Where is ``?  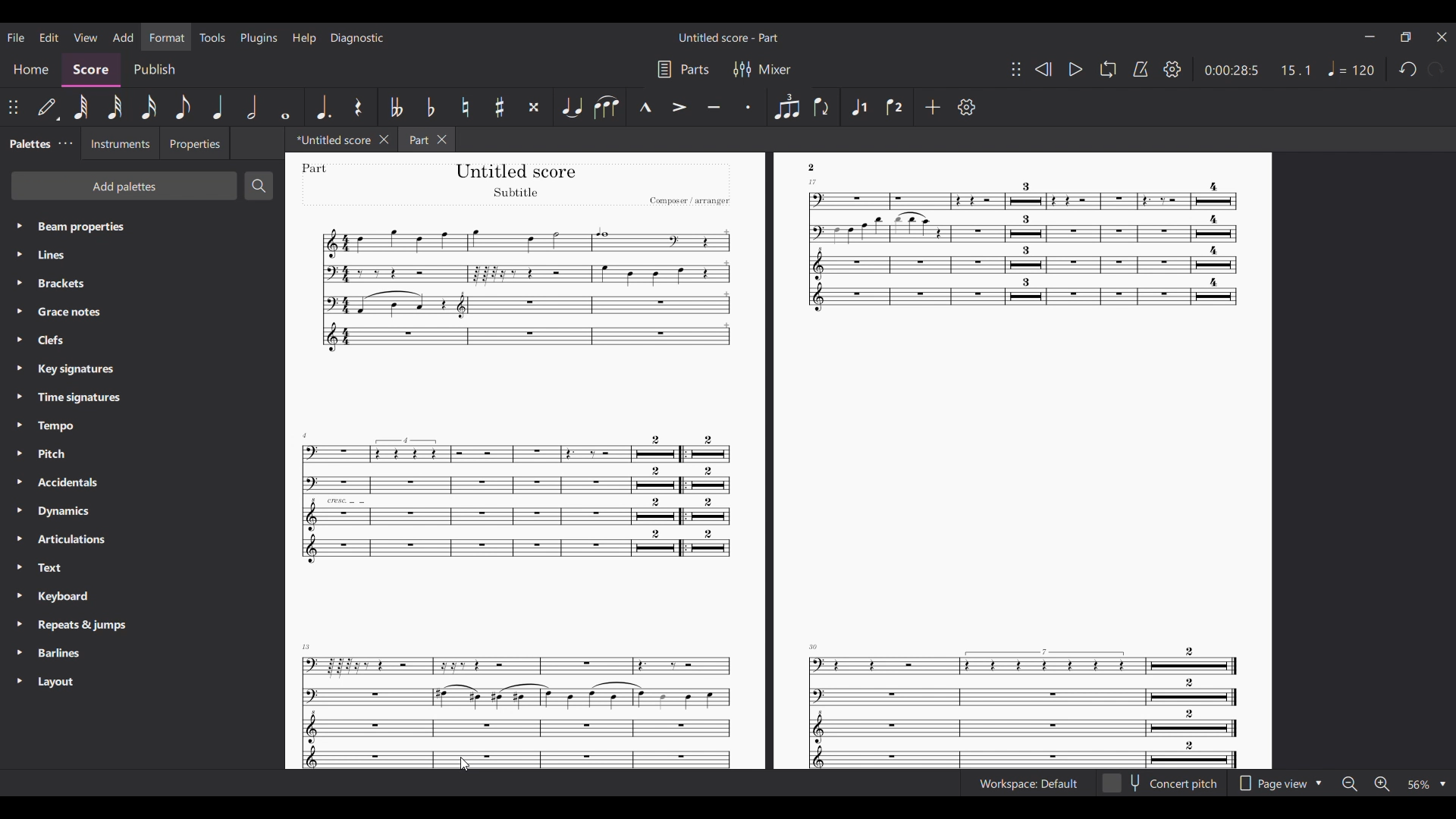
 is located at coordinates (515, 169).